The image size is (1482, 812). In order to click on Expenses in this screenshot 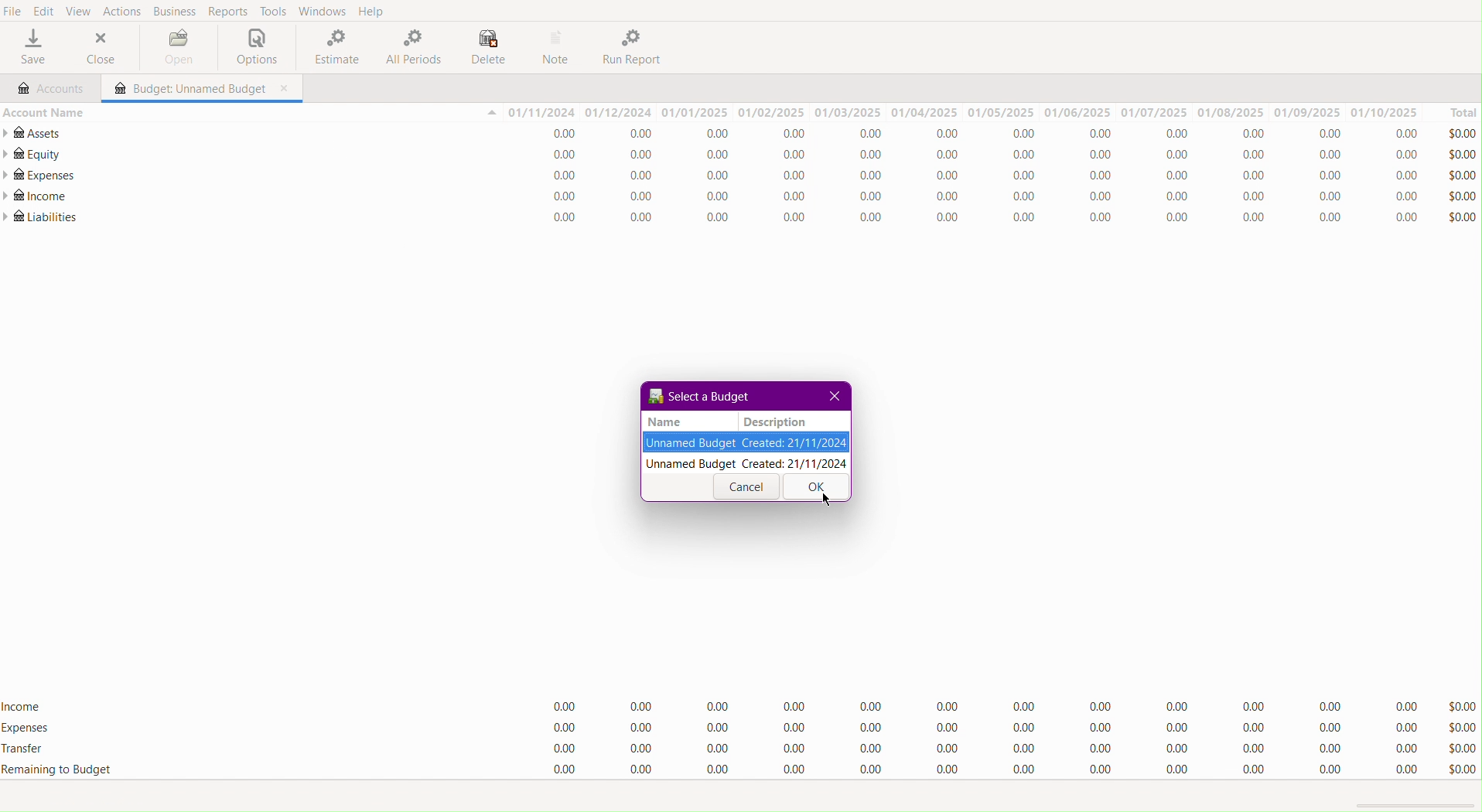, I will do `click(27, 728)`.